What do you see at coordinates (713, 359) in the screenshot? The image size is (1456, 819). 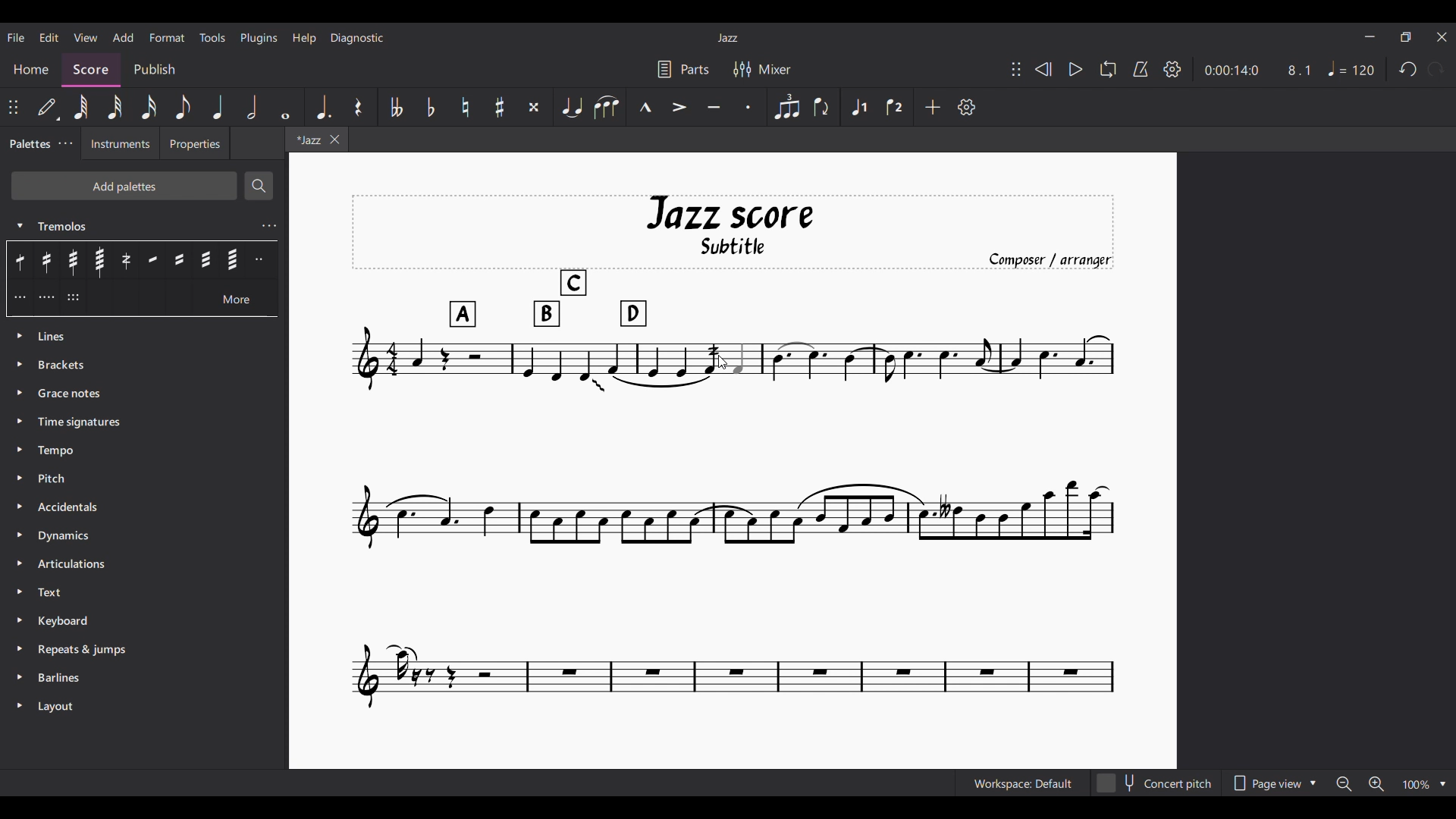 I see `Tremolo added to note` at bounding box center [713, 359].